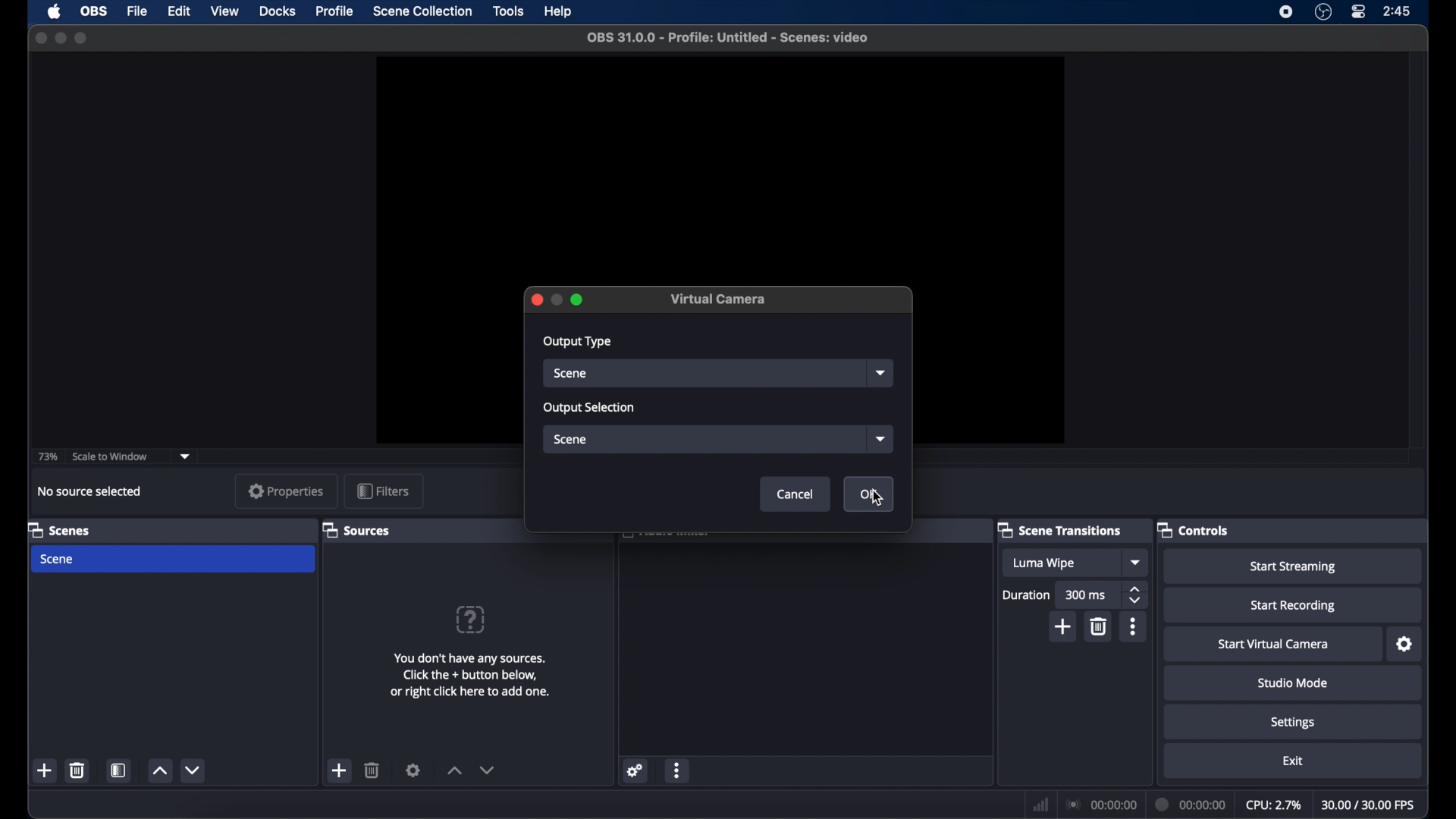 This screenshot has width=1456, height=819. I want to click on delete, so click(78, 770).